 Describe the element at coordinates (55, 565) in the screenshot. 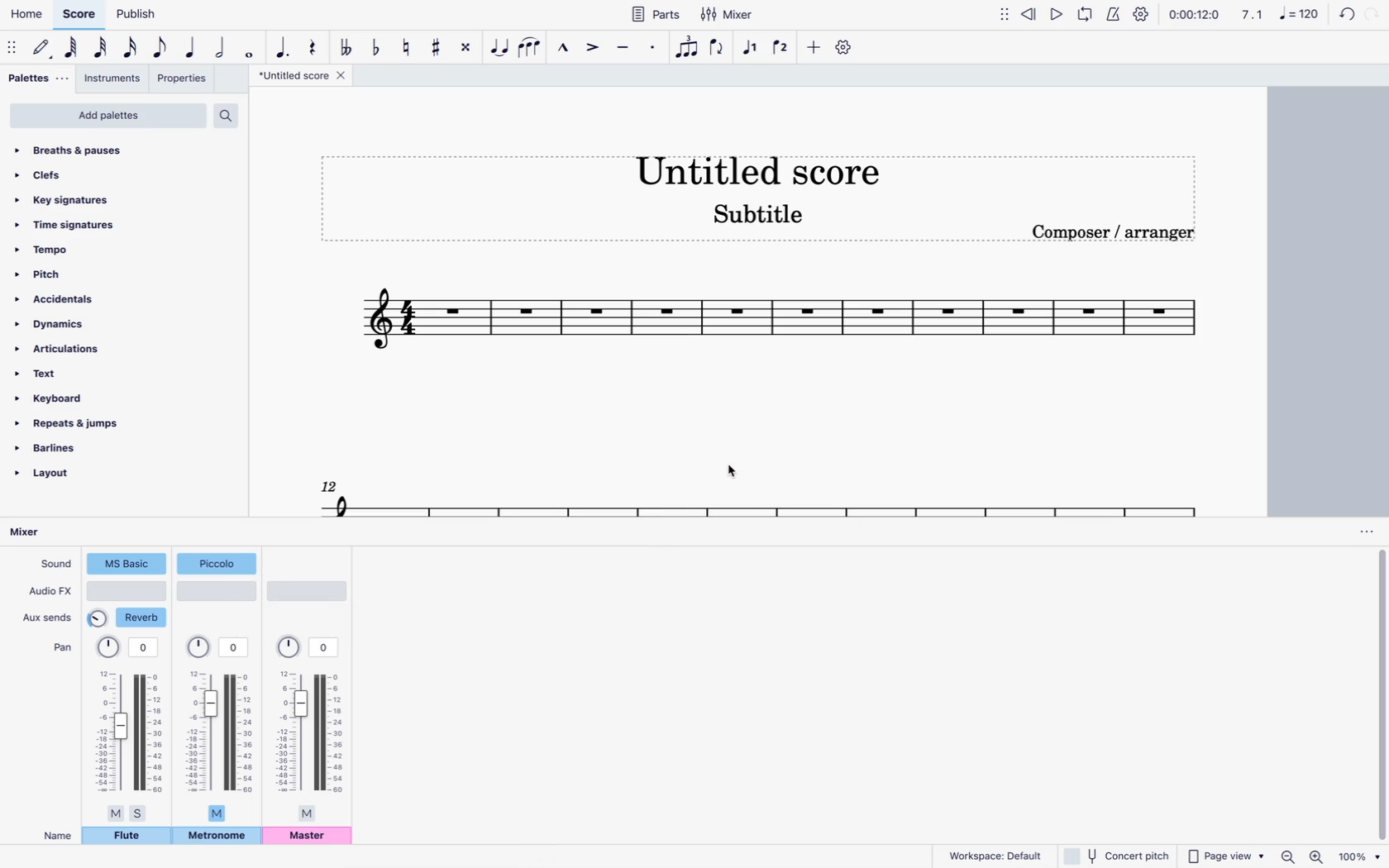

I see `sound` at that location.